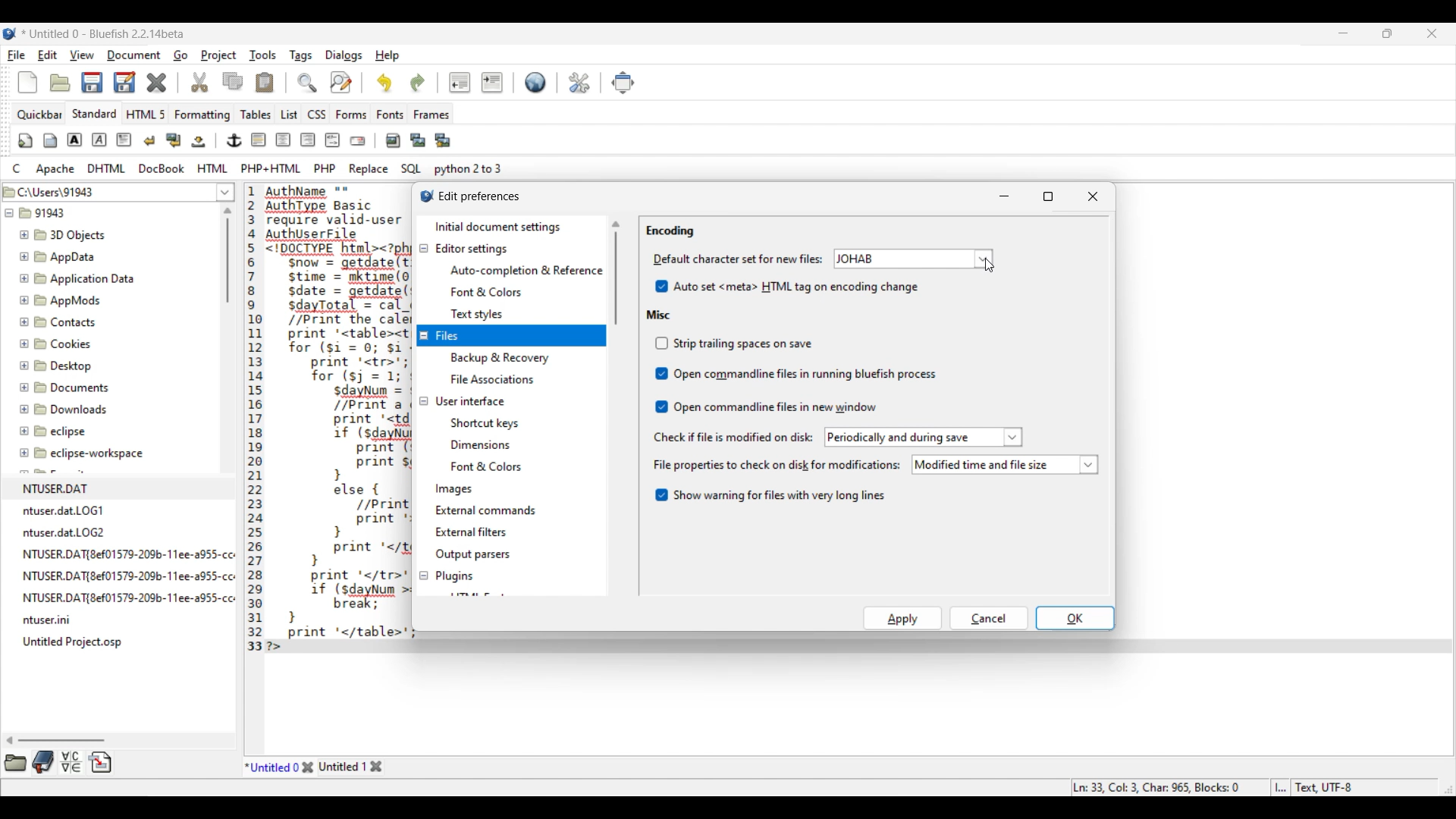 The image size is (1456, 819). I want to click on Go menu, so click(180, 55).